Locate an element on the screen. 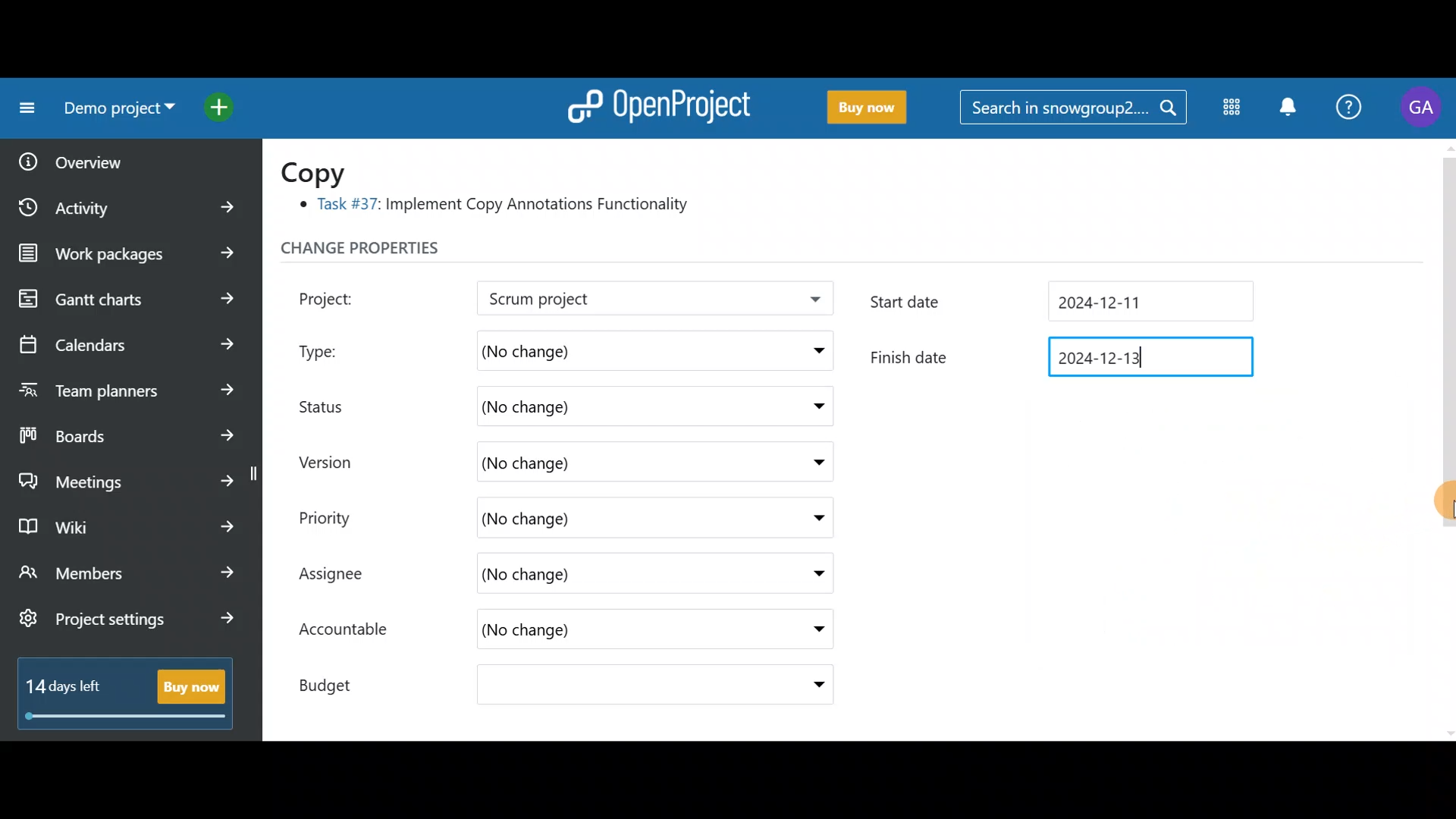  Buy now is located at coordinates (860, 108).